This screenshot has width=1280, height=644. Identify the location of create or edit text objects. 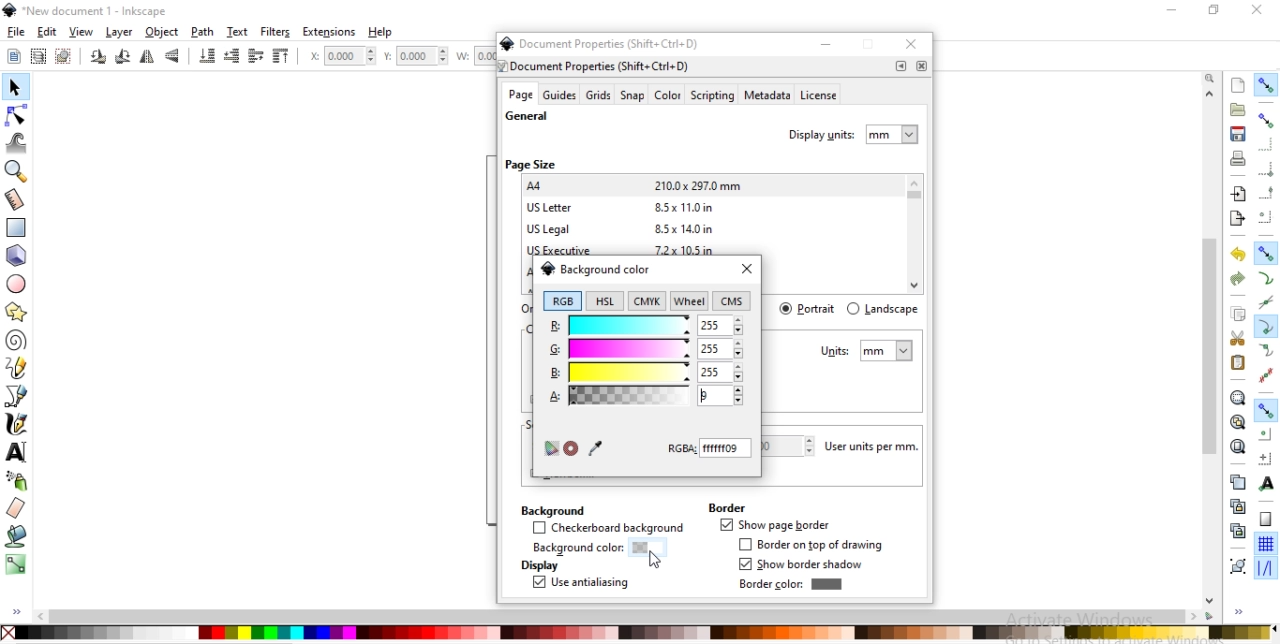
(17, 451).